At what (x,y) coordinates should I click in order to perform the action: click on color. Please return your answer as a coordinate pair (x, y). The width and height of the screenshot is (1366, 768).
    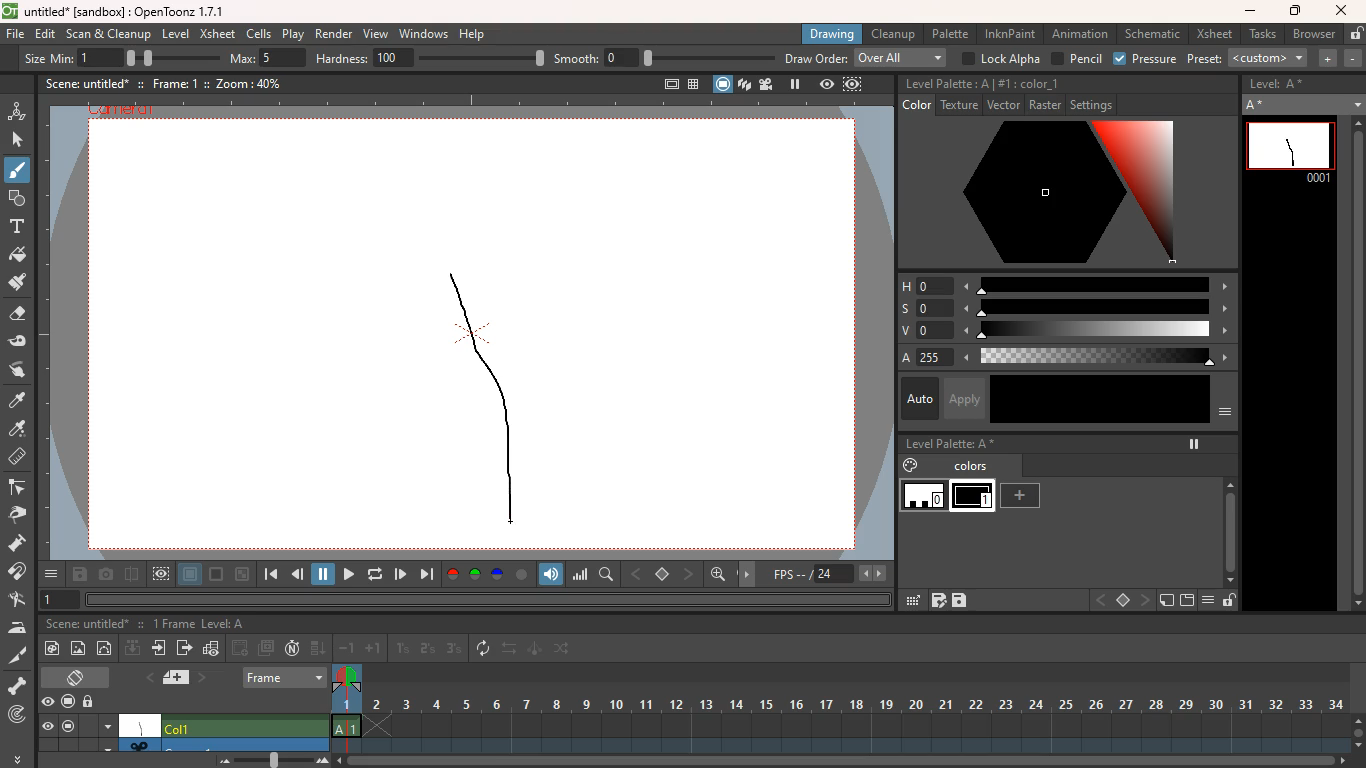
    Looking at the image, I should click on (914, 106).